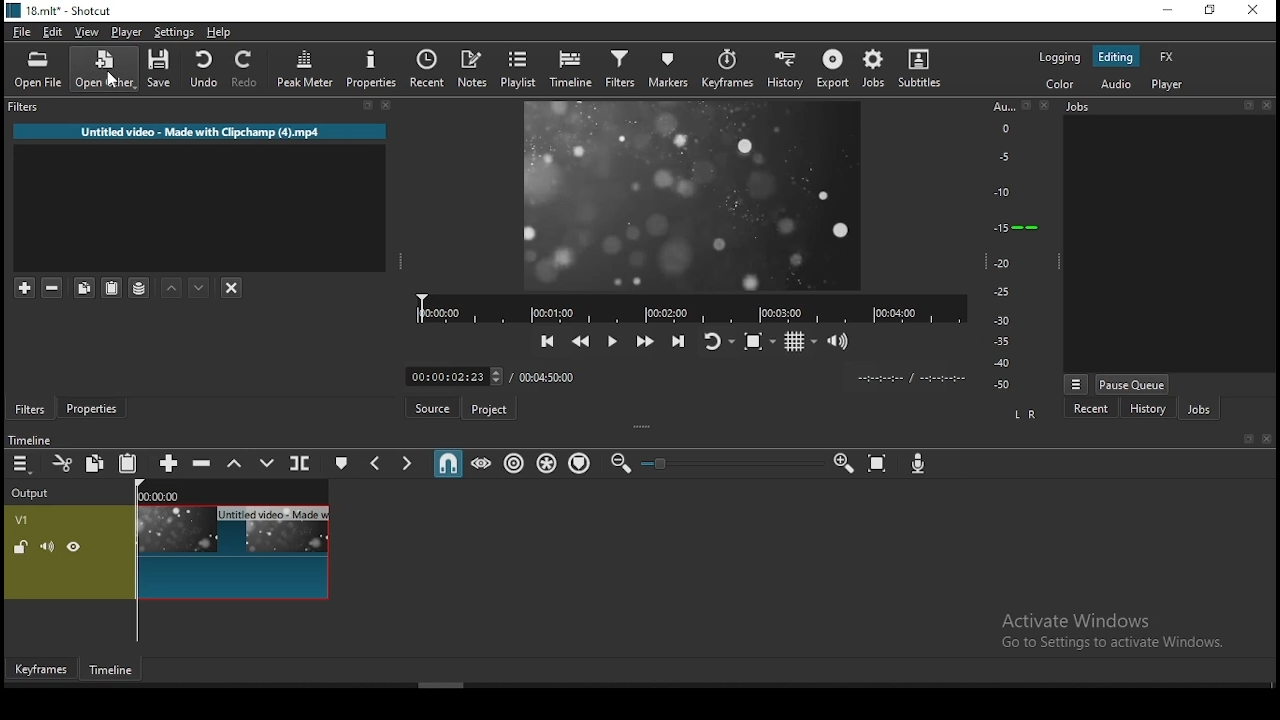 The image size is (1280, 720). What do you see at coordinates (1209, 12) in the screenshot?
I see `restore` at bounding box center [1209, 12].